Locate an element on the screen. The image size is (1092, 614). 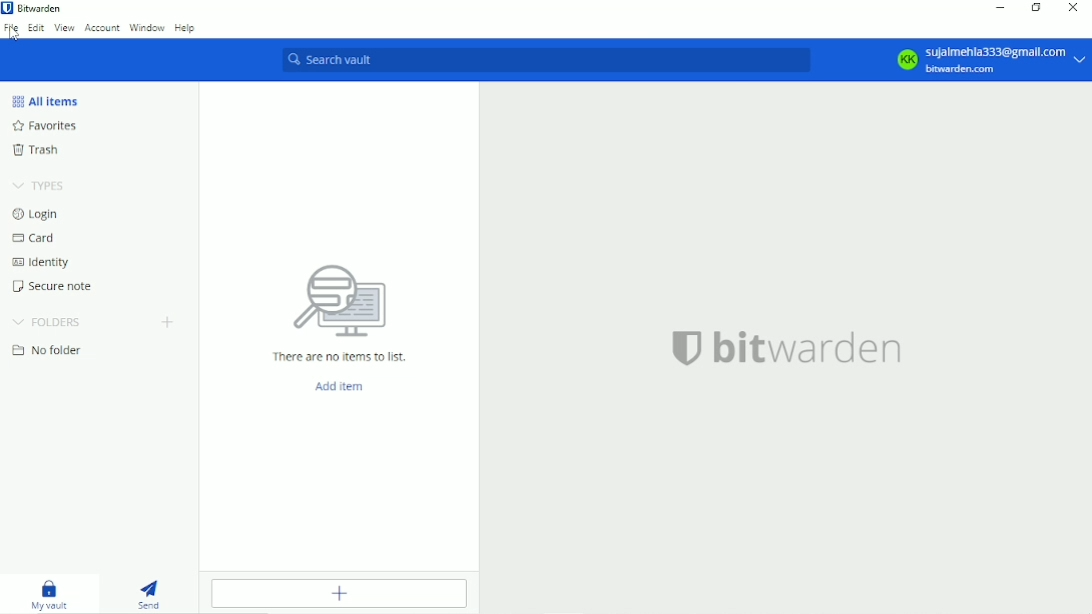
There are no items to list is located at coordinates (337, 312).